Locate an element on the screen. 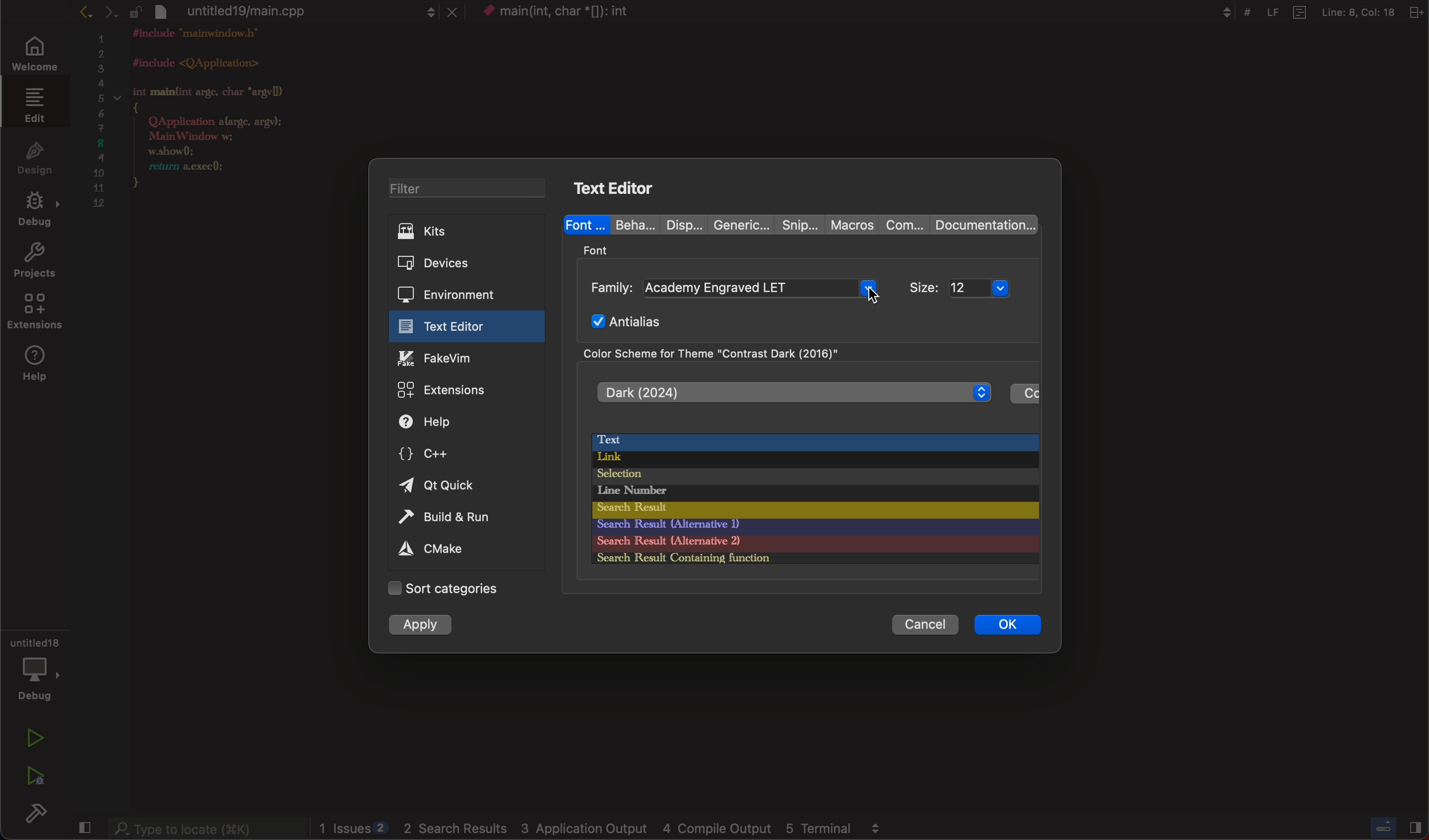 Image resolution: width=1429 pixels, height=840 pixels. close sidebar is located at coordinates (1398, 828).